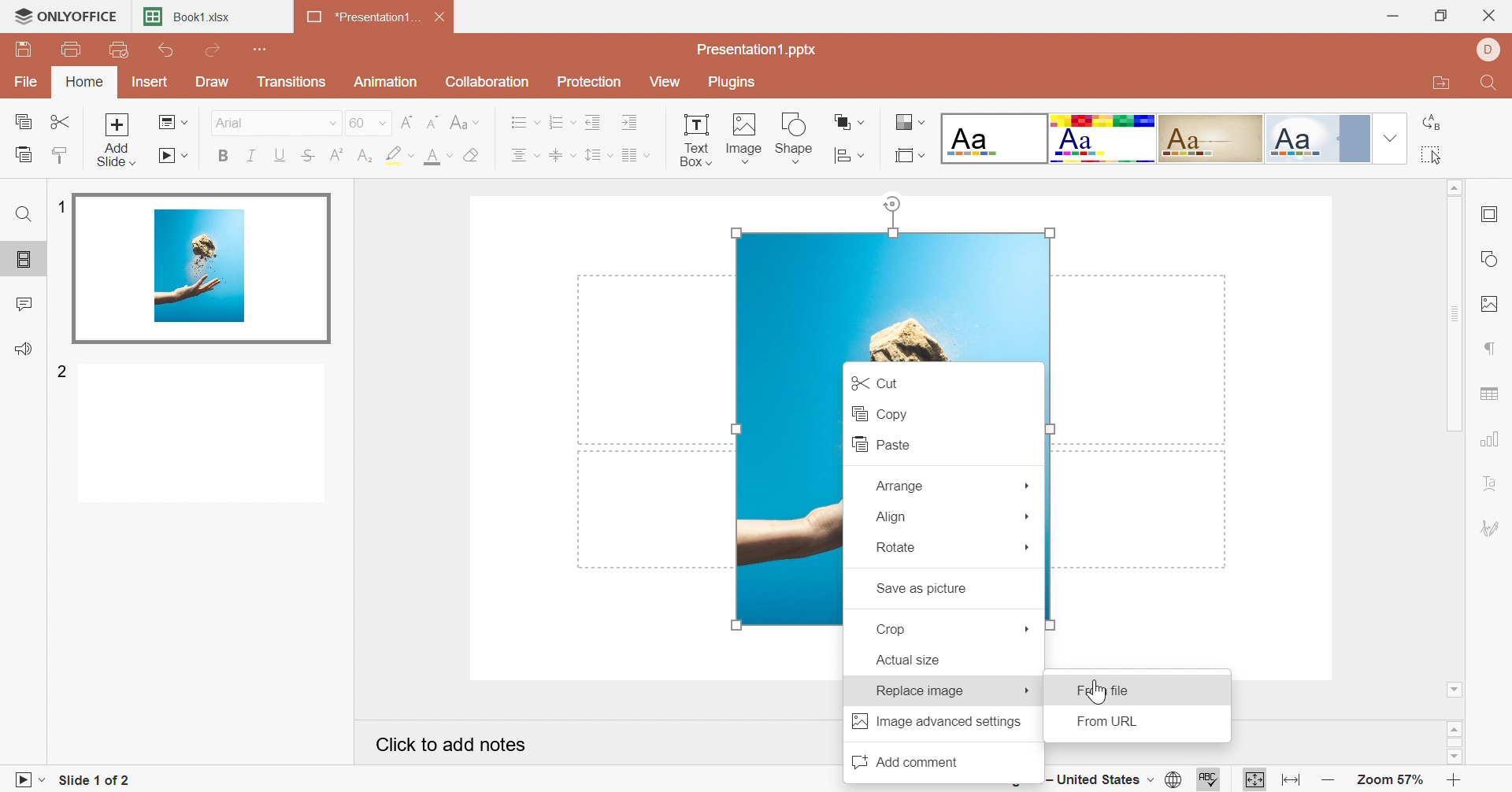  What do you see at coordinates (23, 217) in the screenshot?
I see `Find` at bounding box center [23, 217].